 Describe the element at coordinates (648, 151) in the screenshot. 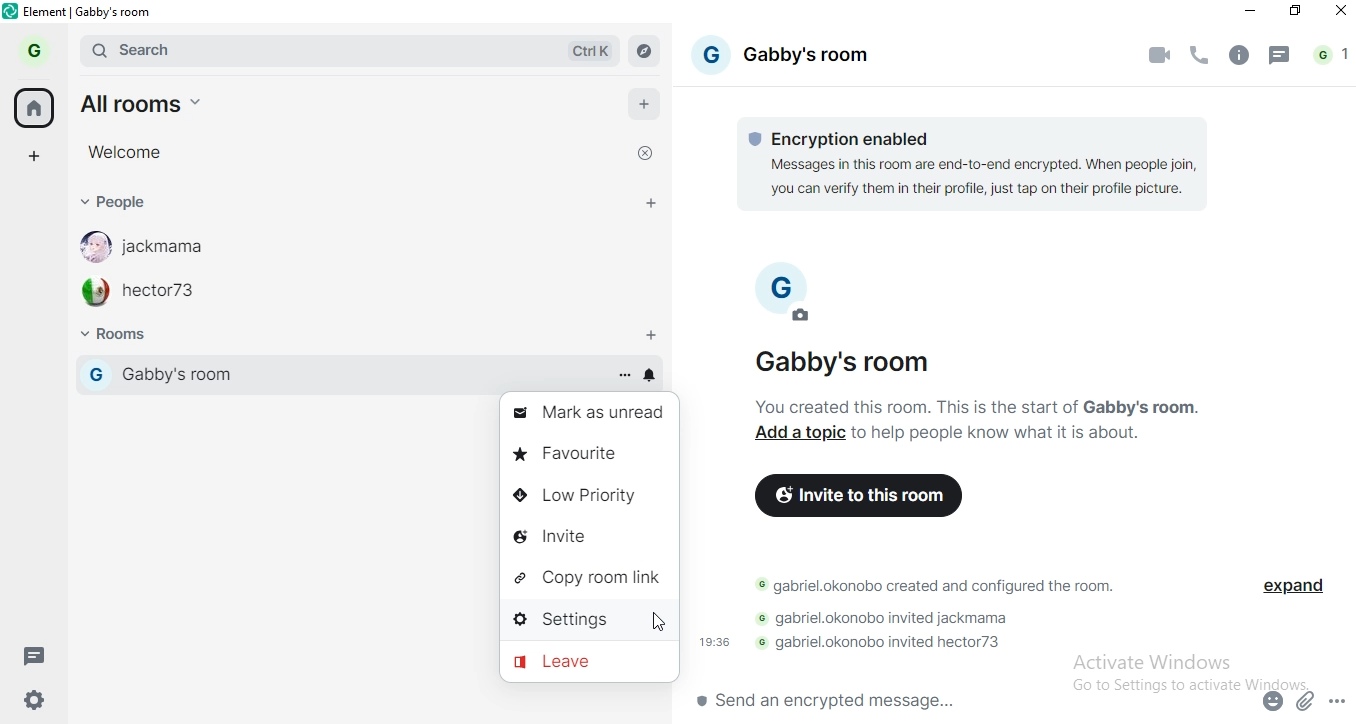

I see `close` at that location.